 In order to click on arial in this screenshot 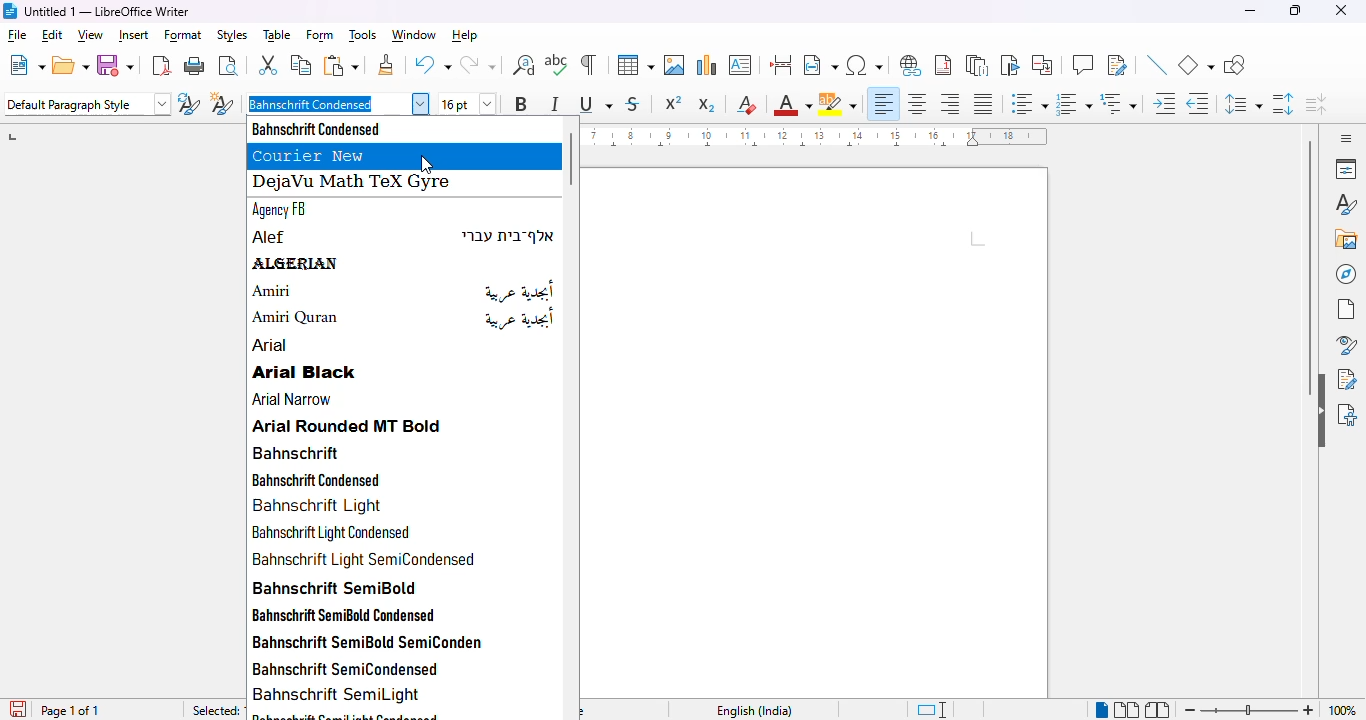, I will do `click(273, 345)`.